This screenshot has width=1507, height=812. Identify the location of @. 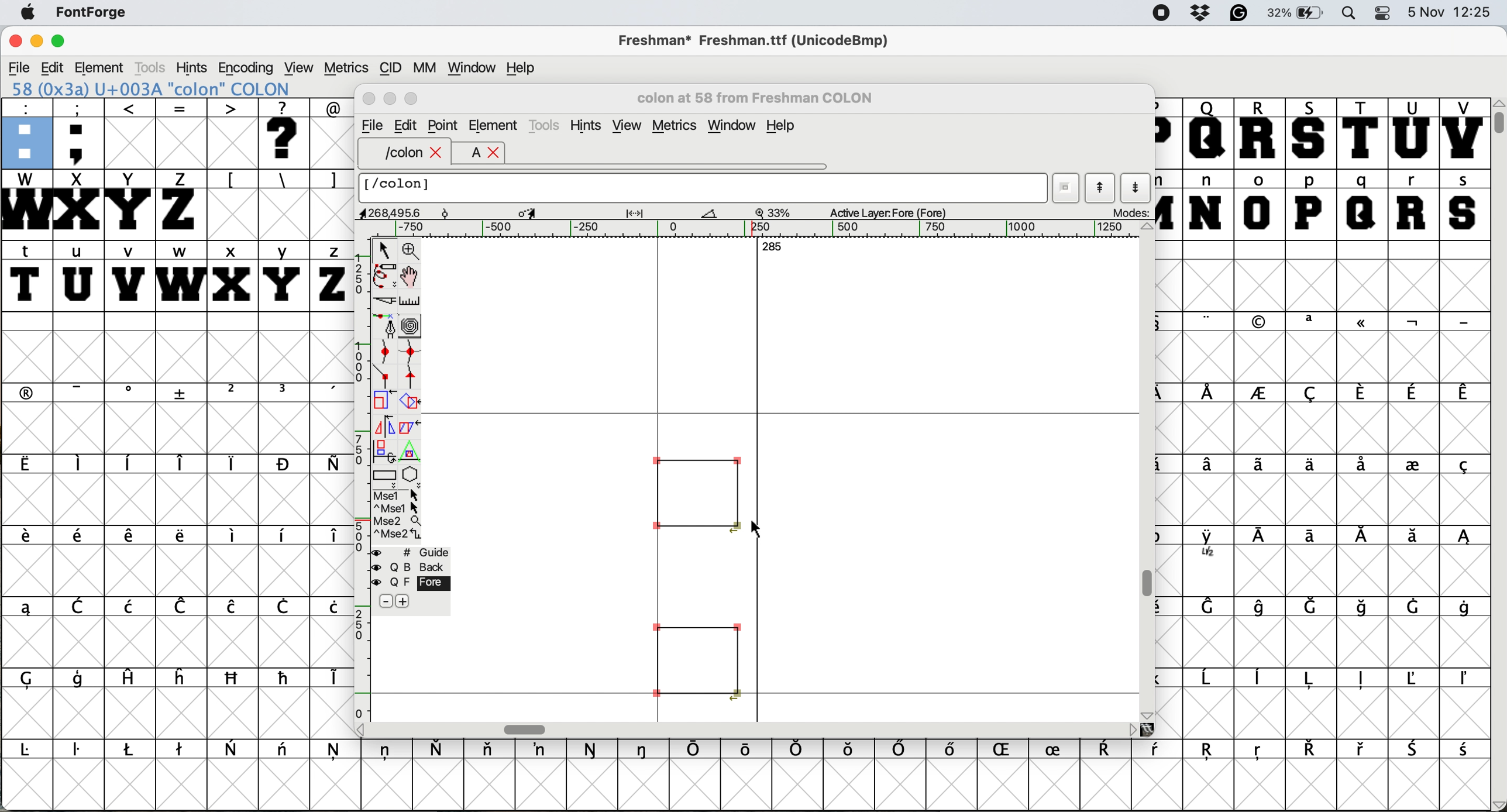
(331, 106).